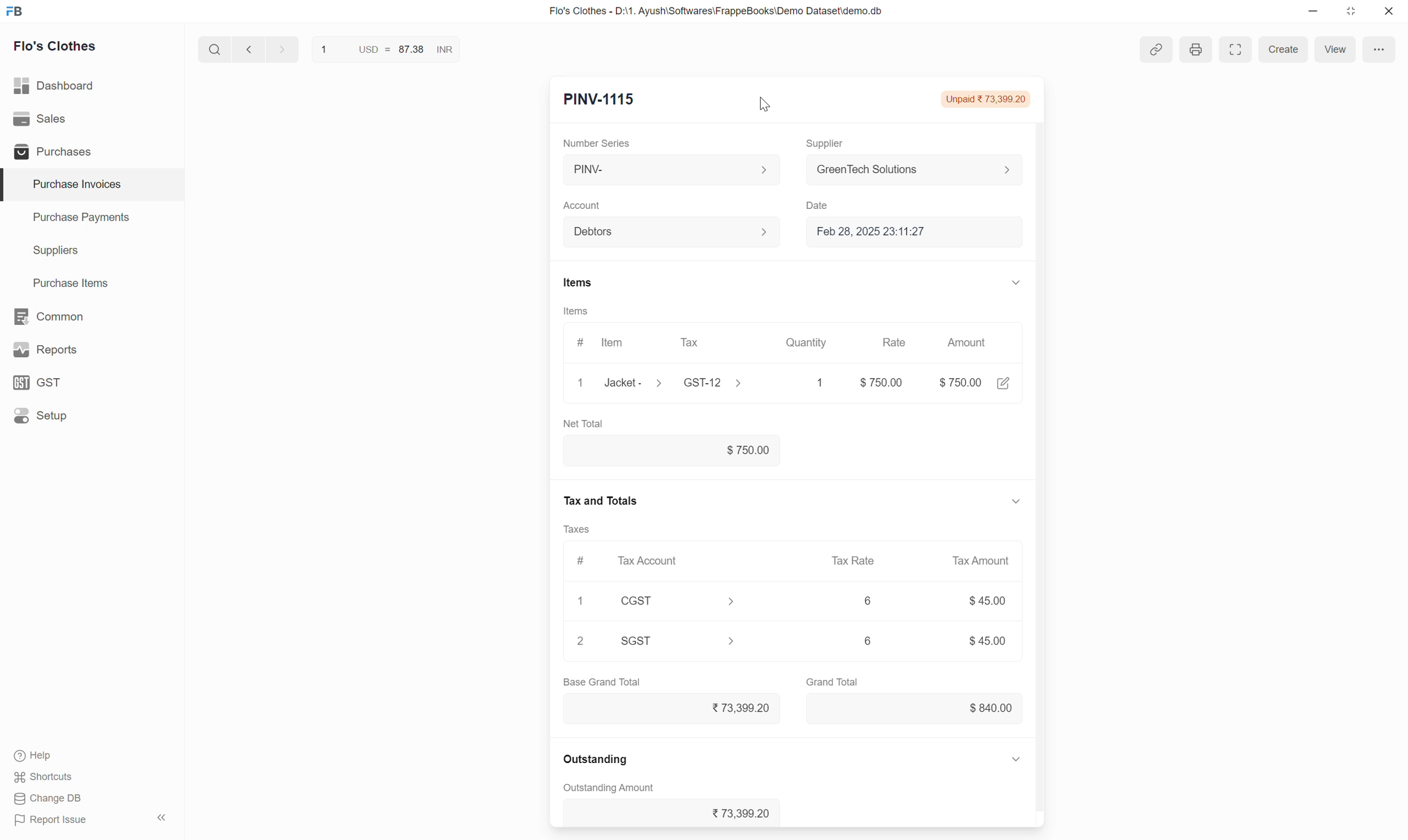 The width and height of the screenshot is (1408, 840). What do you see at coordinates (55, 46) in the screenshot?
I see `Flo's Clothes` at bounding box center [55, 46].